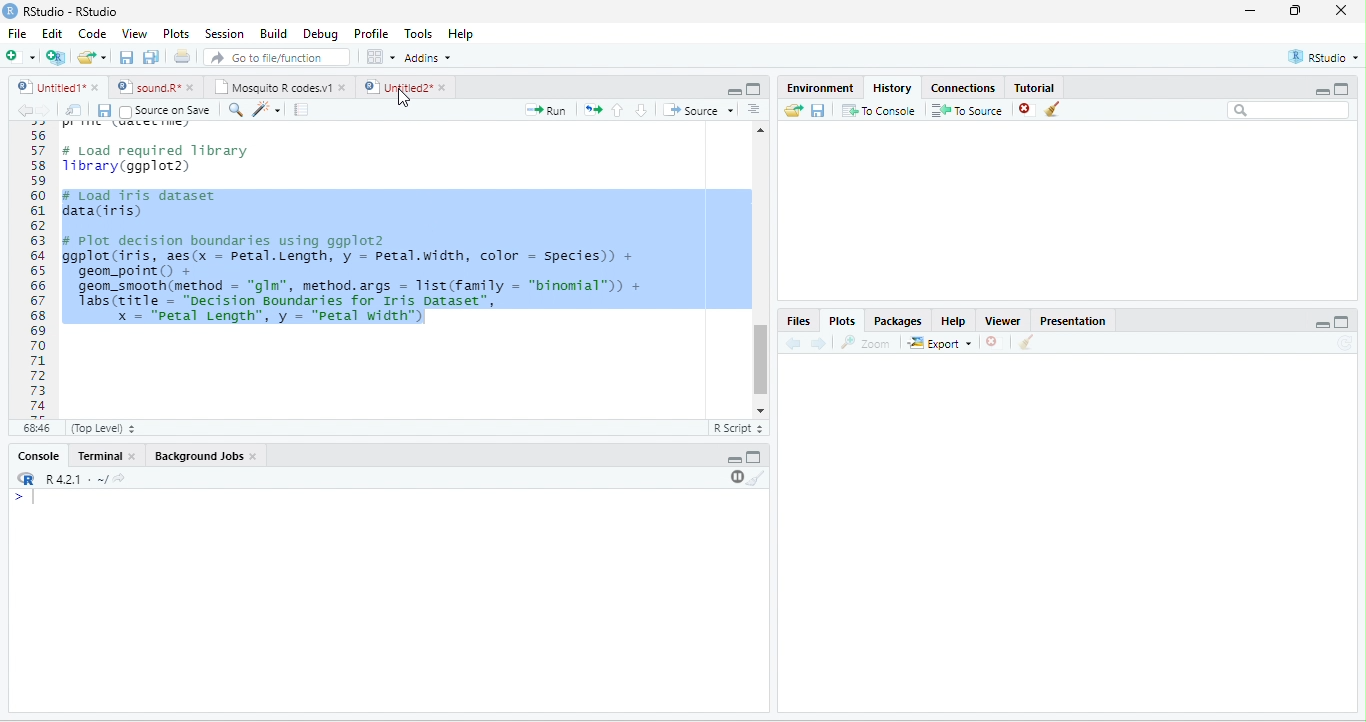 The height and width of the screenshot is (722, 1366). Describe the element at coordinates (278, 57) in the screenshot. I see `search file` at that location.